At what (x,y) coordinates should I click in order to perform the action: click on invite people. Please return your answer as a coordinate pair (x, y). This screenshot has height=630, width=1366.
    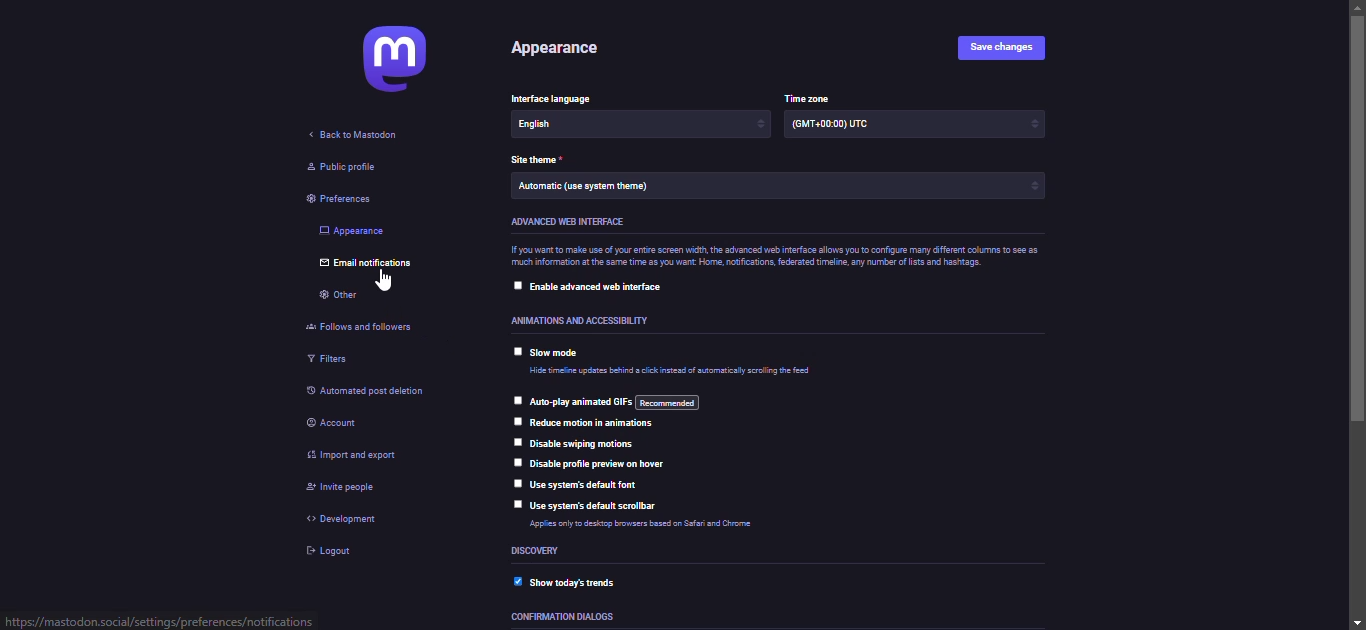
    Looking at the image, I should click on (342, 486).